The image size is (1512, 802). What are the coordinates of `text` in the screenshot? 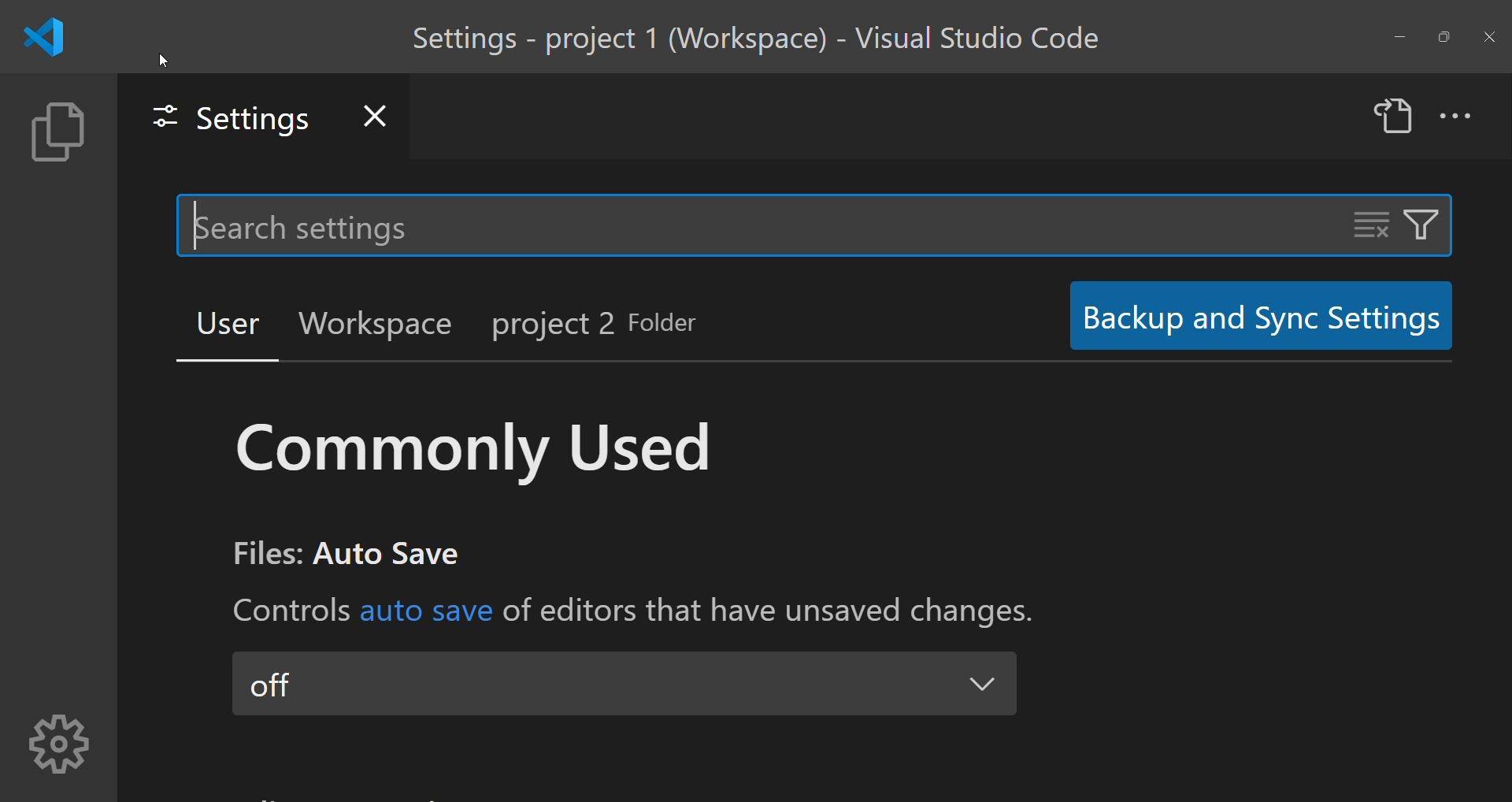 It's located at (651, 583).